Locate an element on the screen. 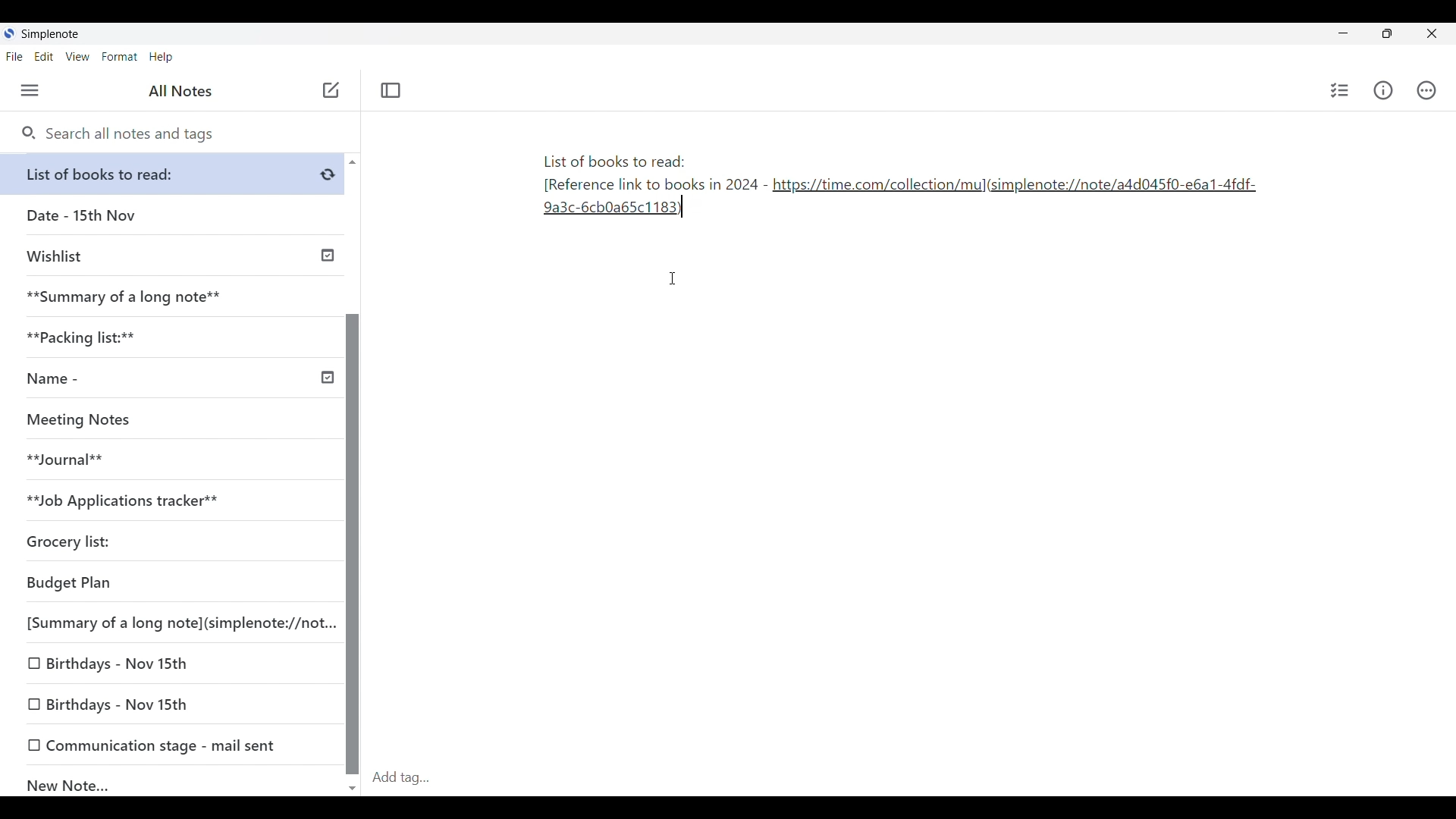 The width and height of the screenshot is (1456, 819). [Summary of a long note](simplenote://not... is located at coordinates (177, 623).